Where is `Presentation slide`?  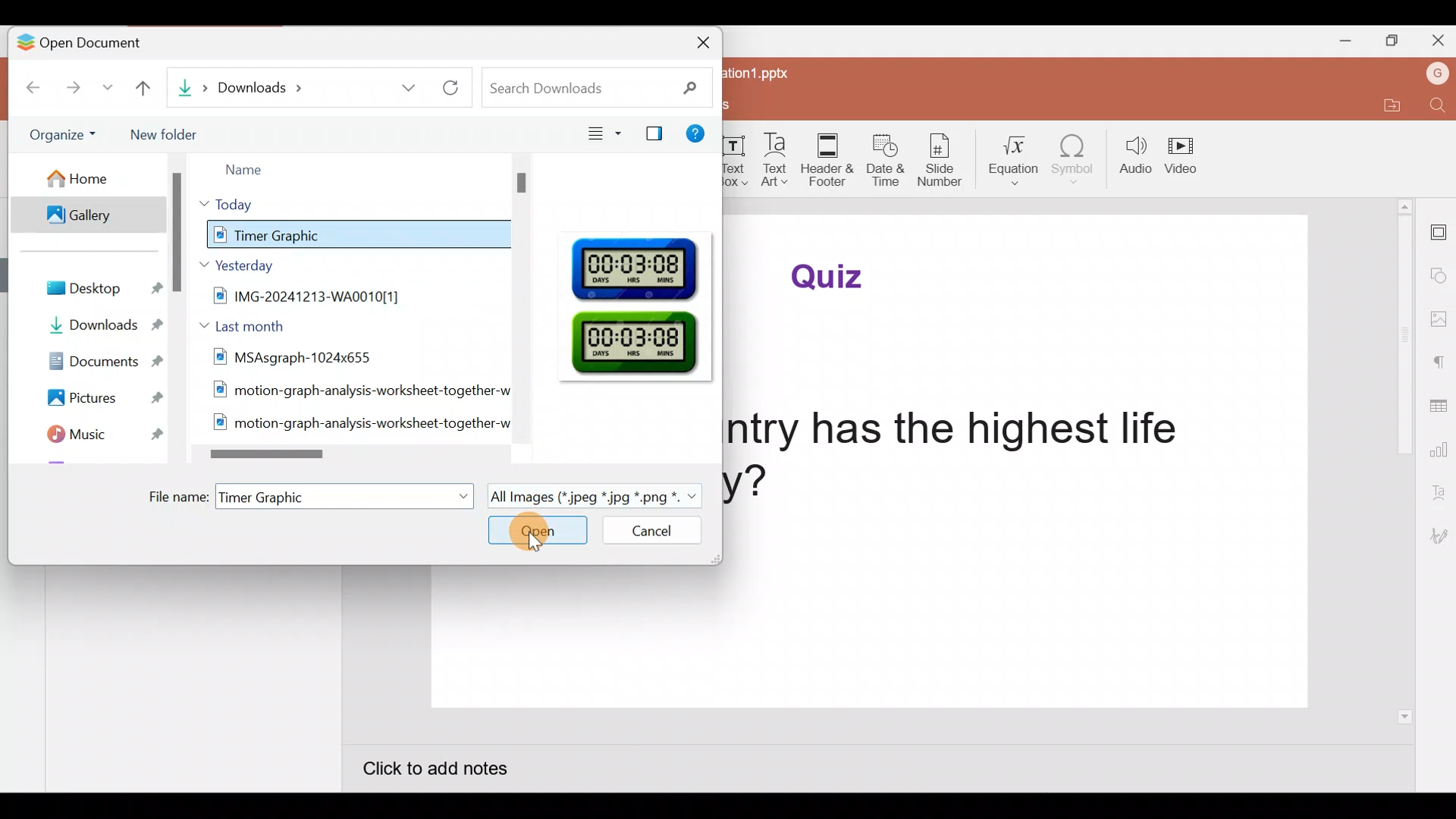
Presentation slide is located at coordinates (866, 642).